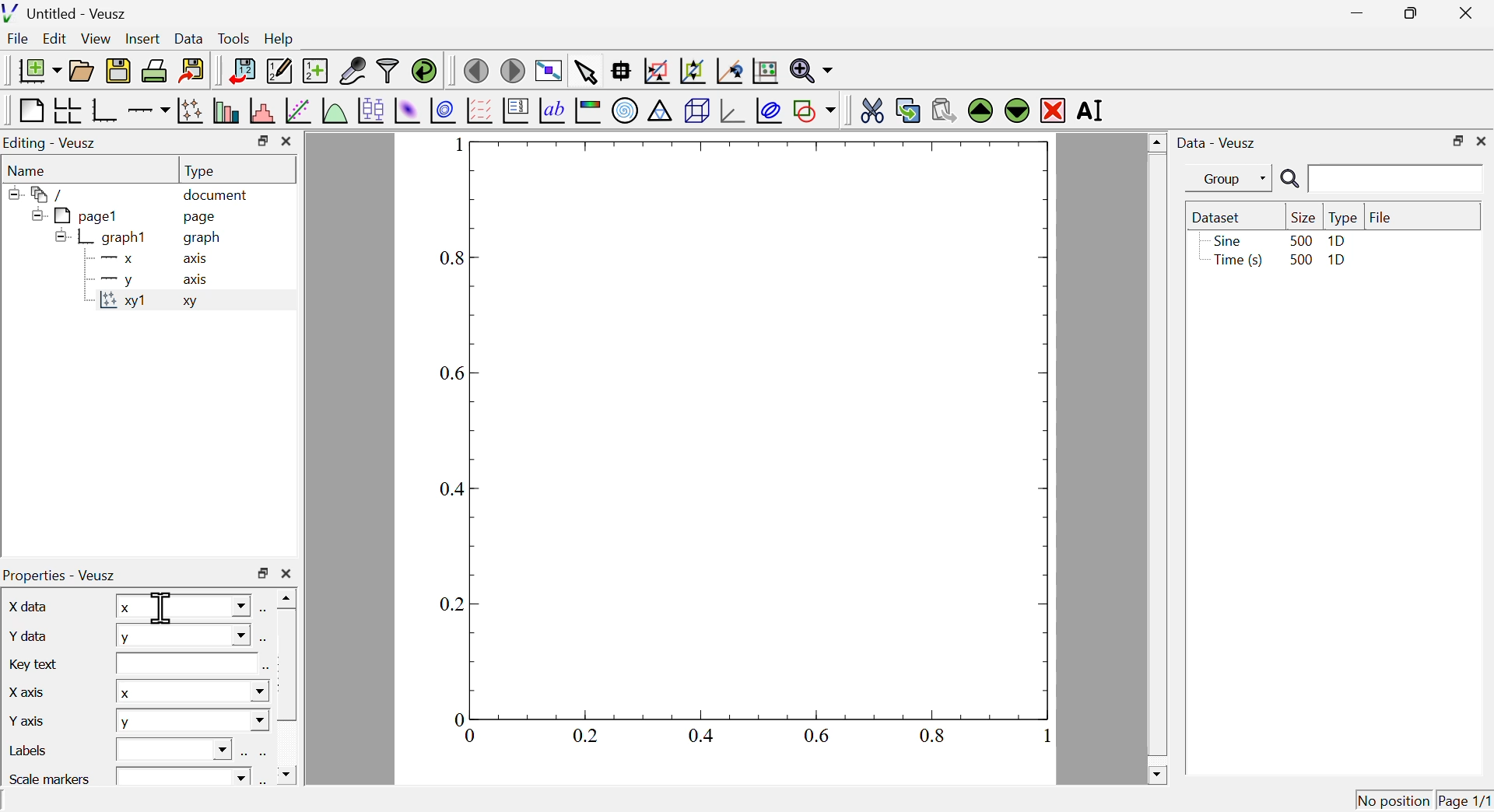  I want to click on close, so click(1482, 141).